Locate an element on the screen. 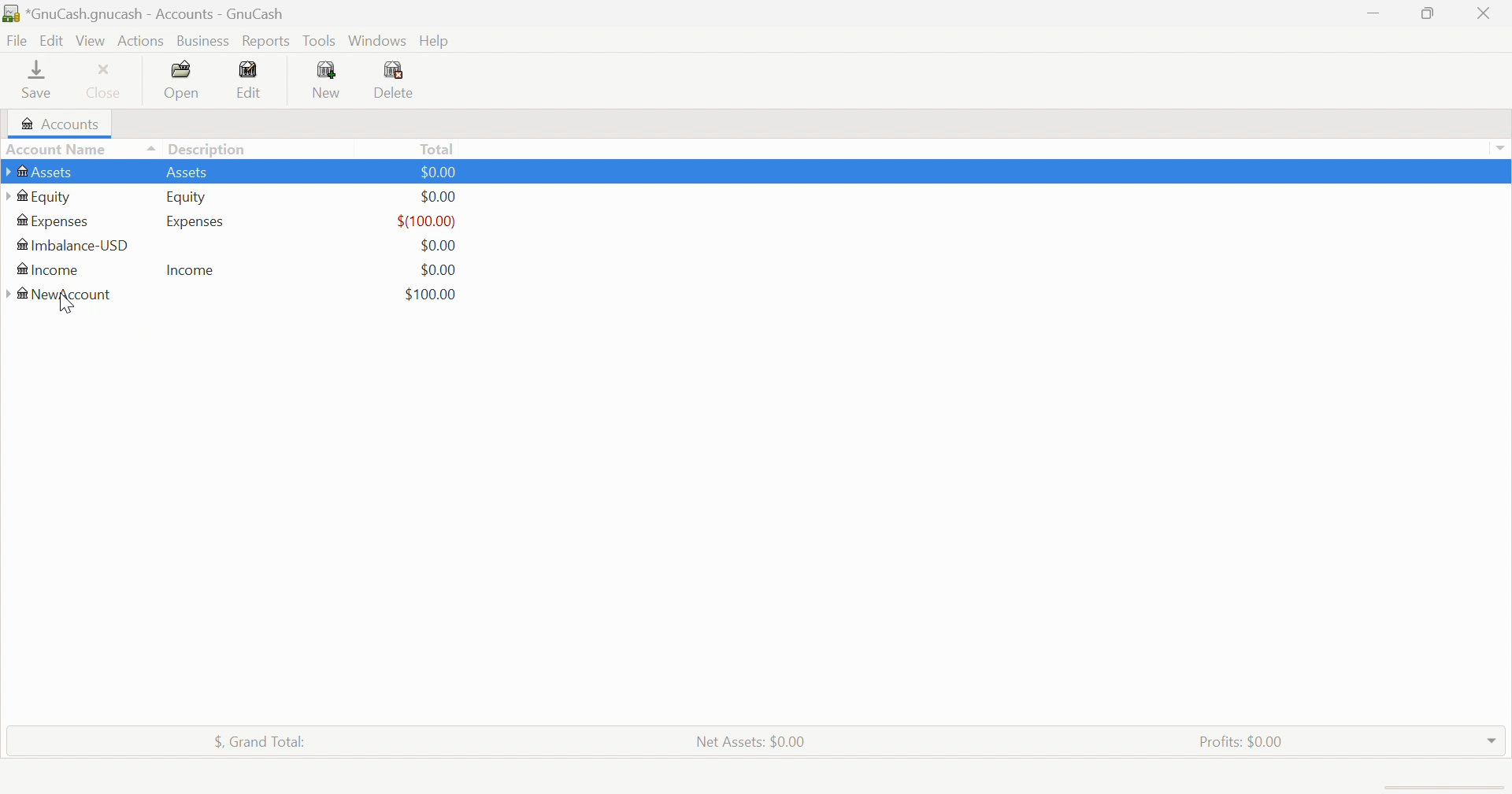 The image size is (1512, 794). Imbalance-USD is located at coordinates (72, 246).